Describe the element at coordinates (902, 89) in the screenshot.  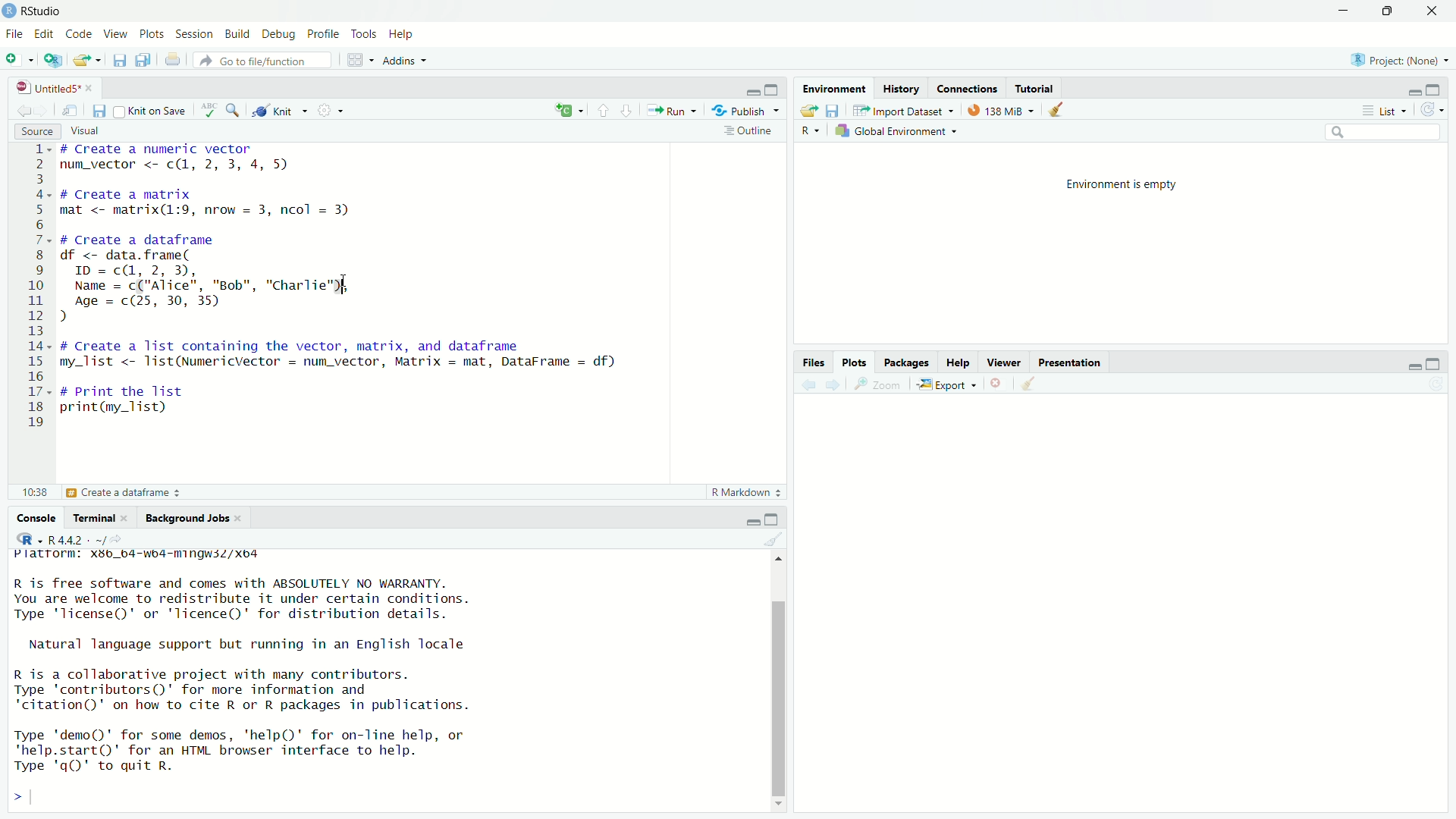
I see `{istory` at that location.